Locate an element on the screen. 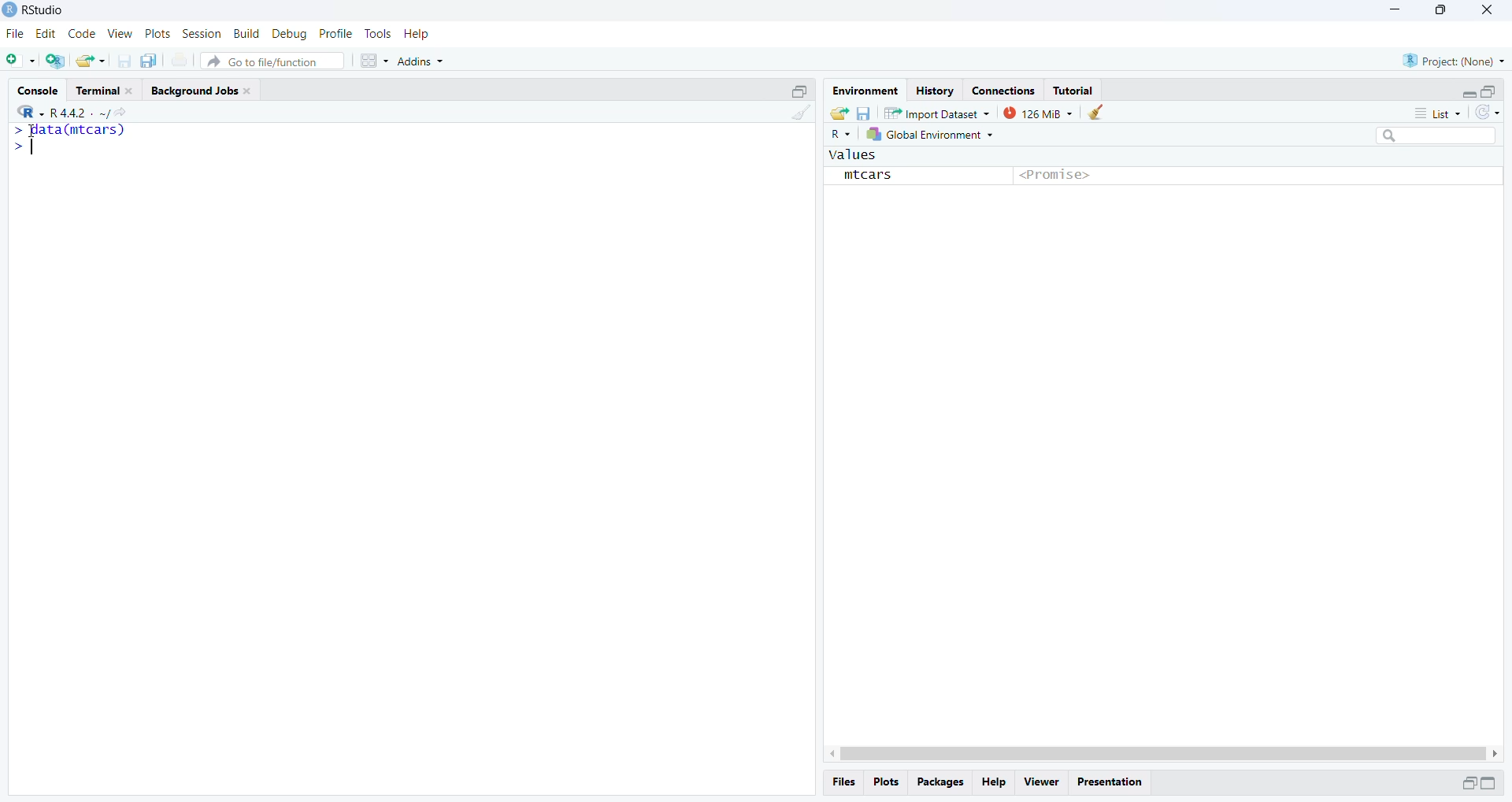 This screenshot has height=802, width=1512. print is located at coordinates (180, 60).